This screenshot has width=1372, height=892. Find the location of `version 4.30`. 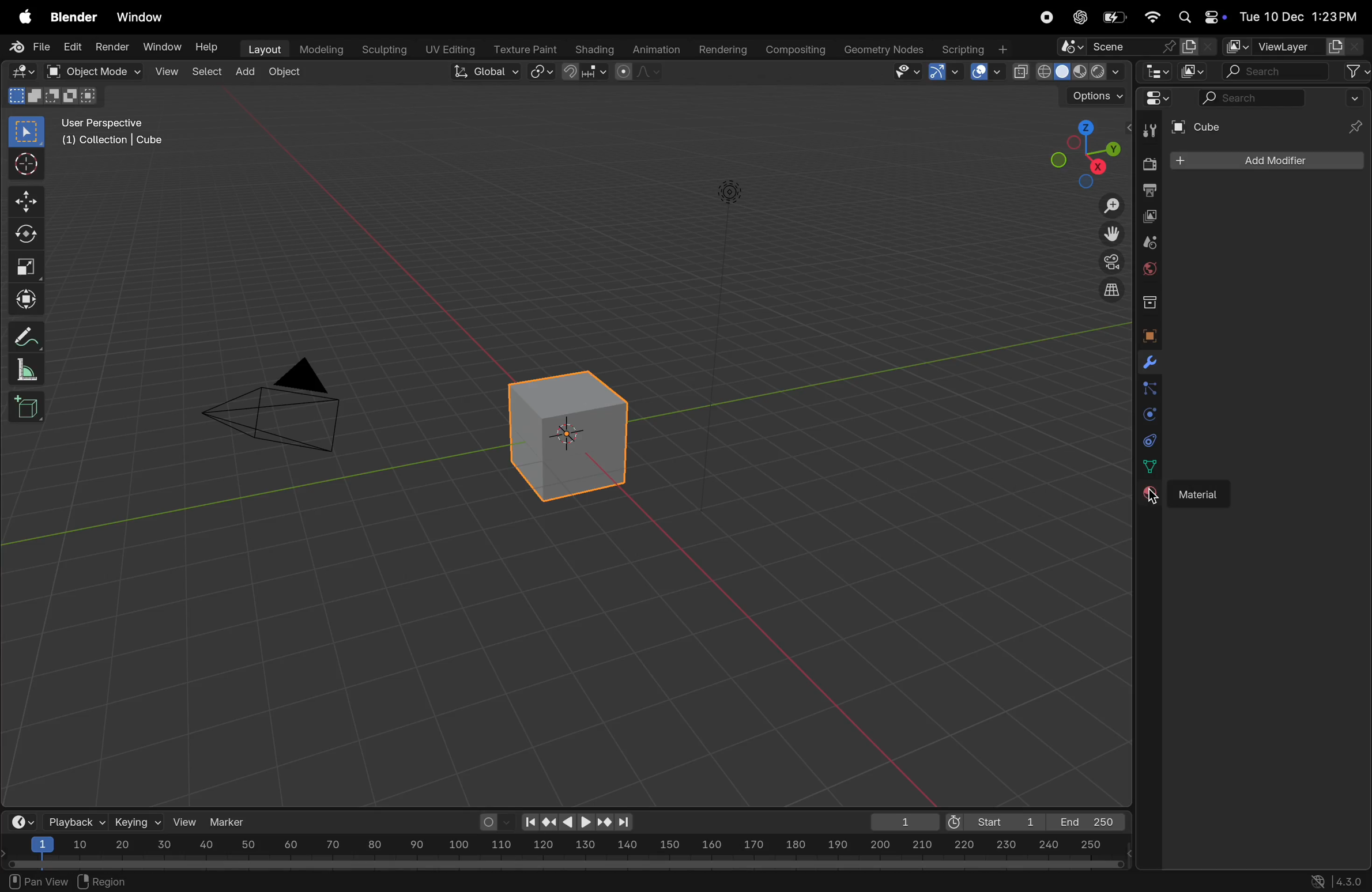

version 4.30 is located at coordinates (1333, 880).